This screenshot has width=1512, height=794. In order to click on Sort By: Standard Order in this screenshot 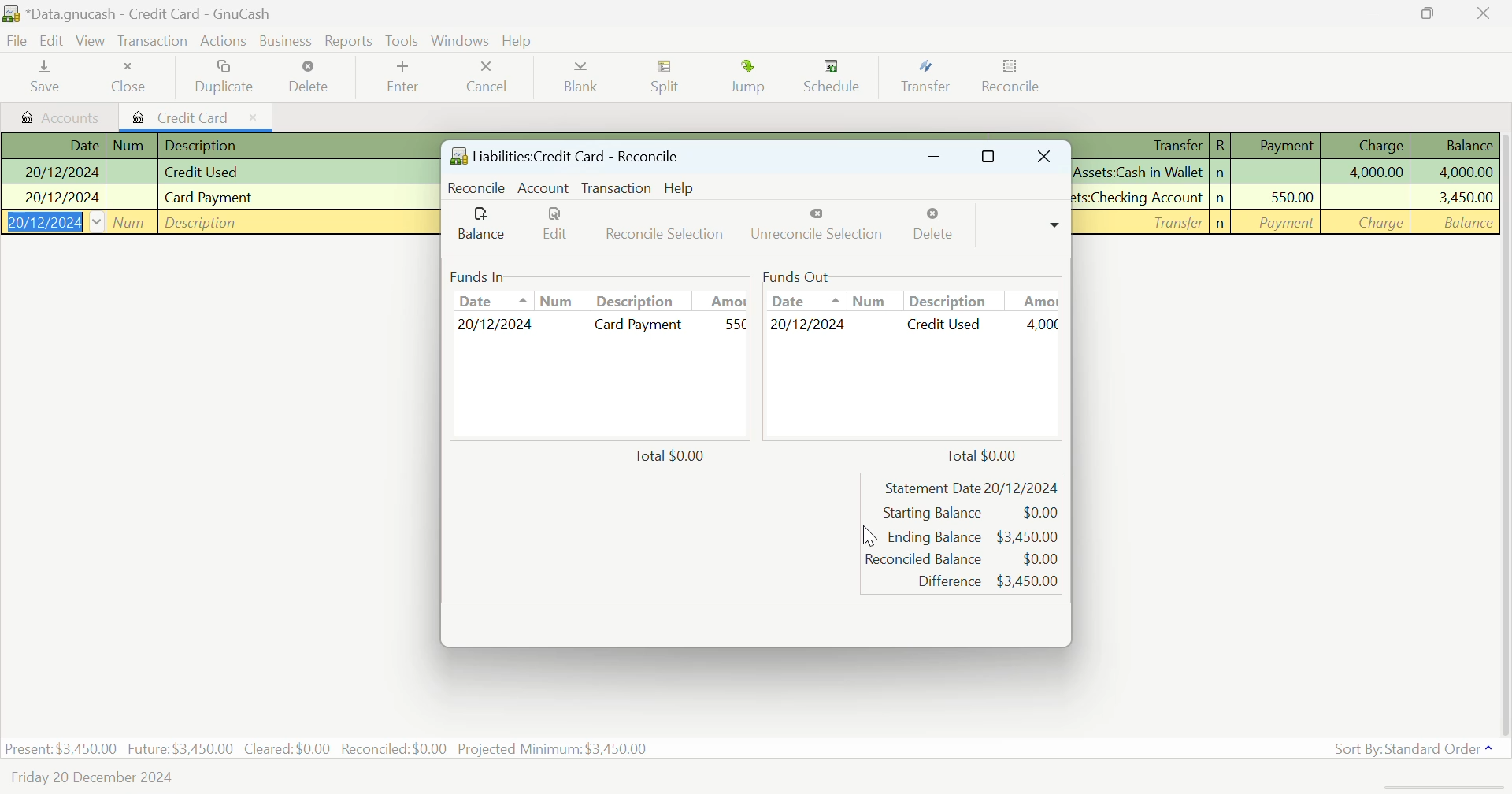, I will do `click(1417, 748)`.